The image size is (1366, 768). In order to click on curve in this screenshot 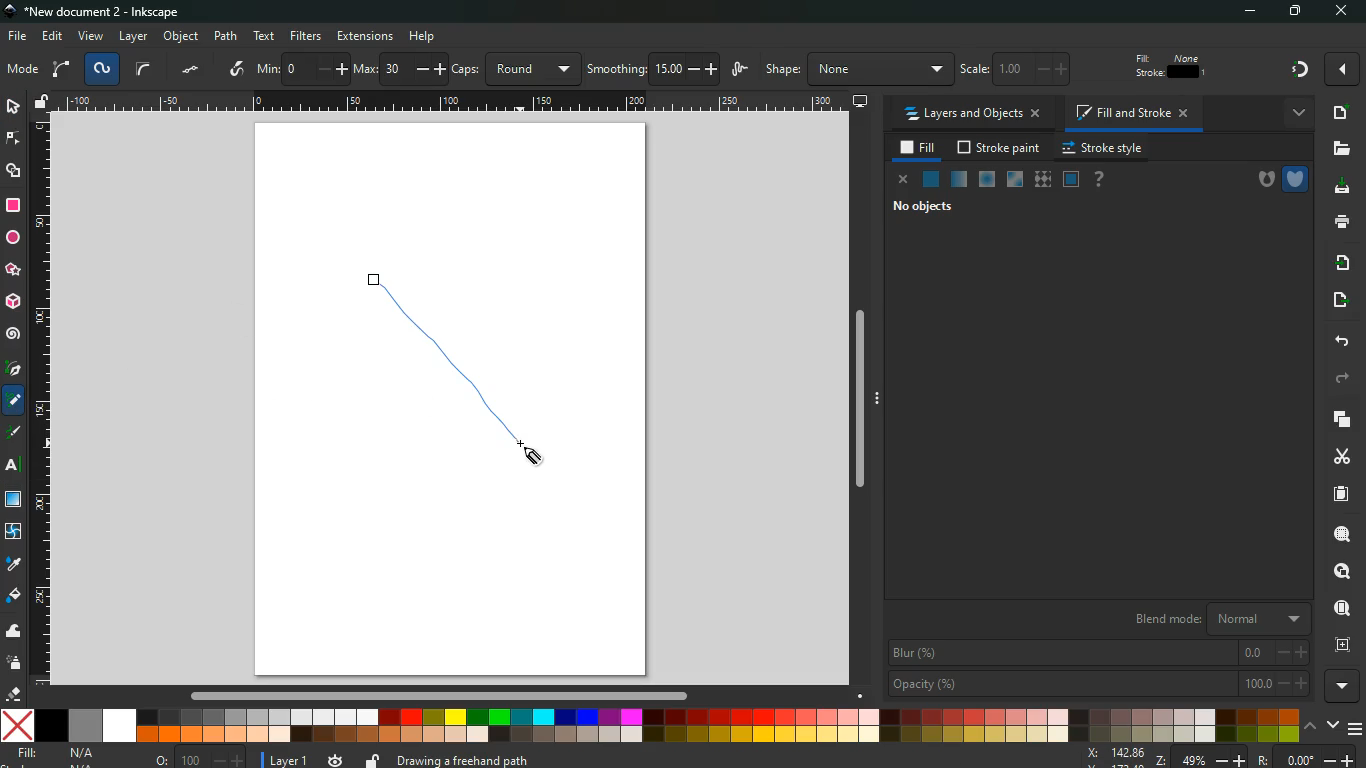, I will do `click(144, 71)`.